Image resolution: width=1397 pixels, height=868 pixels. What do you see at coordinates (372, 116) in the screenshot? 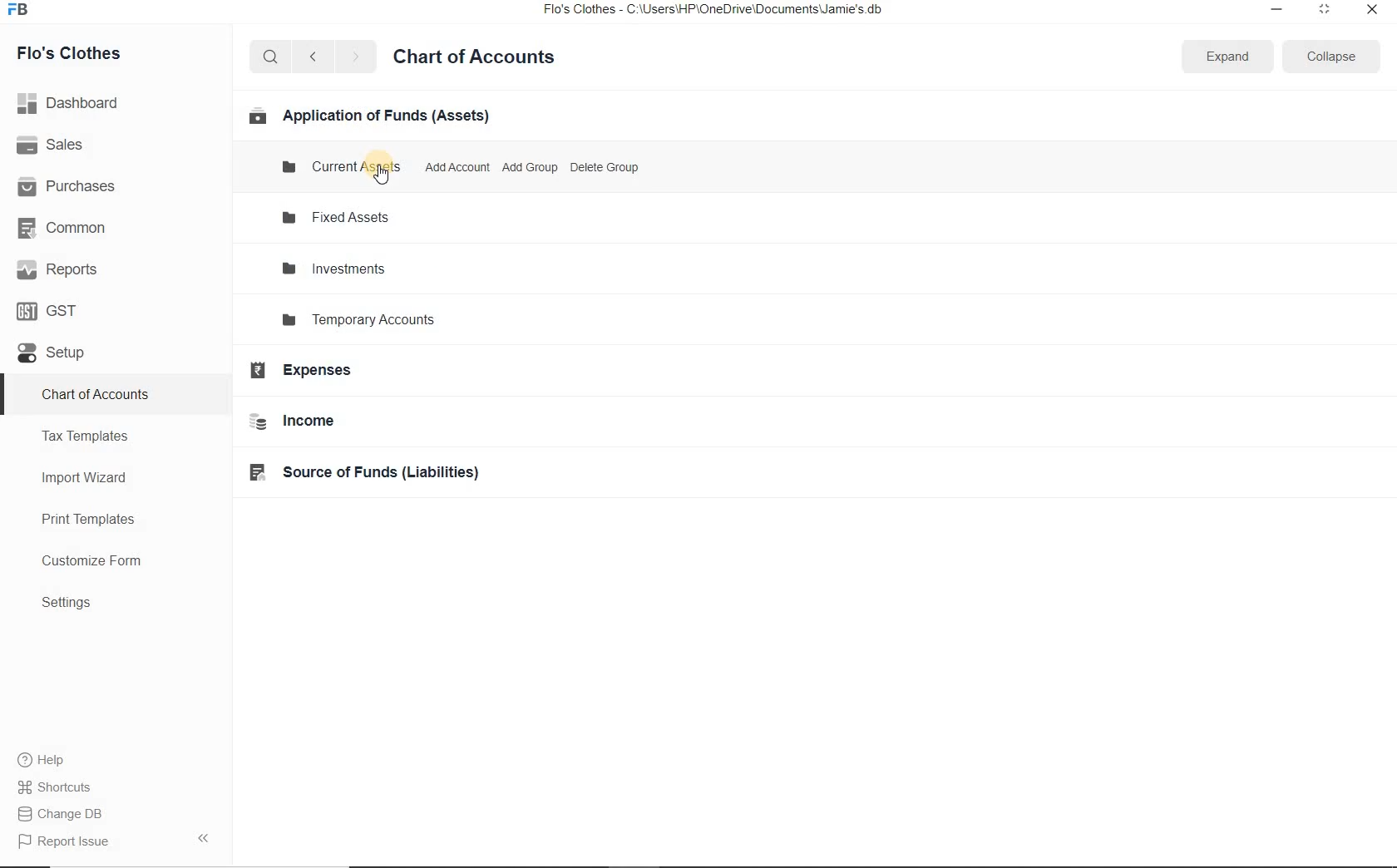
I see `Application of Funds (Assets)` at bounding box center [372, 116].